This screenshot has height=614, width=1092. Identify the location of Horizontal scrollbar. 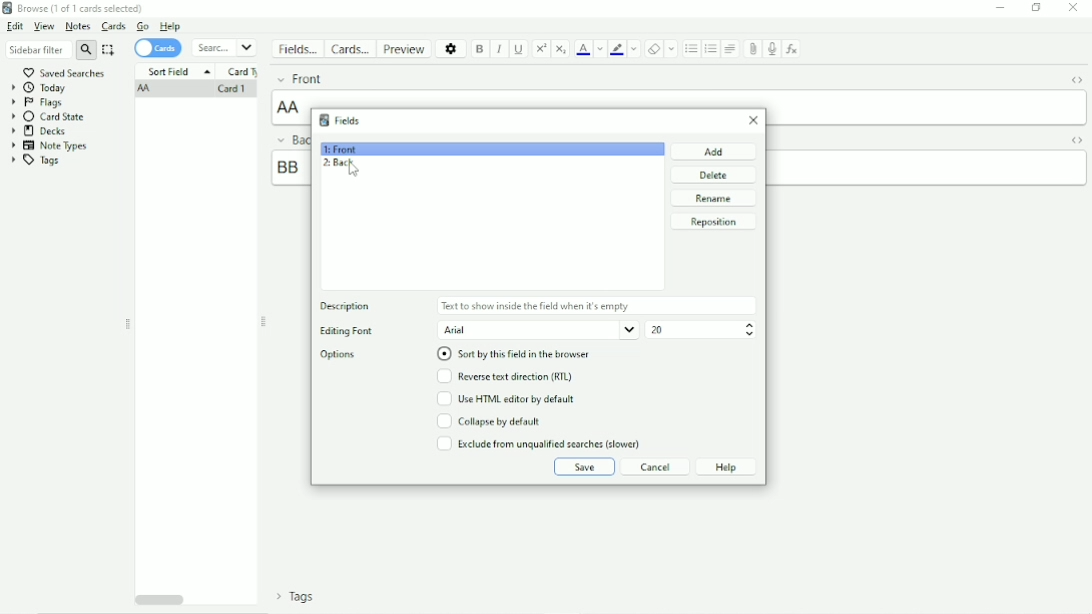
(160, 598).